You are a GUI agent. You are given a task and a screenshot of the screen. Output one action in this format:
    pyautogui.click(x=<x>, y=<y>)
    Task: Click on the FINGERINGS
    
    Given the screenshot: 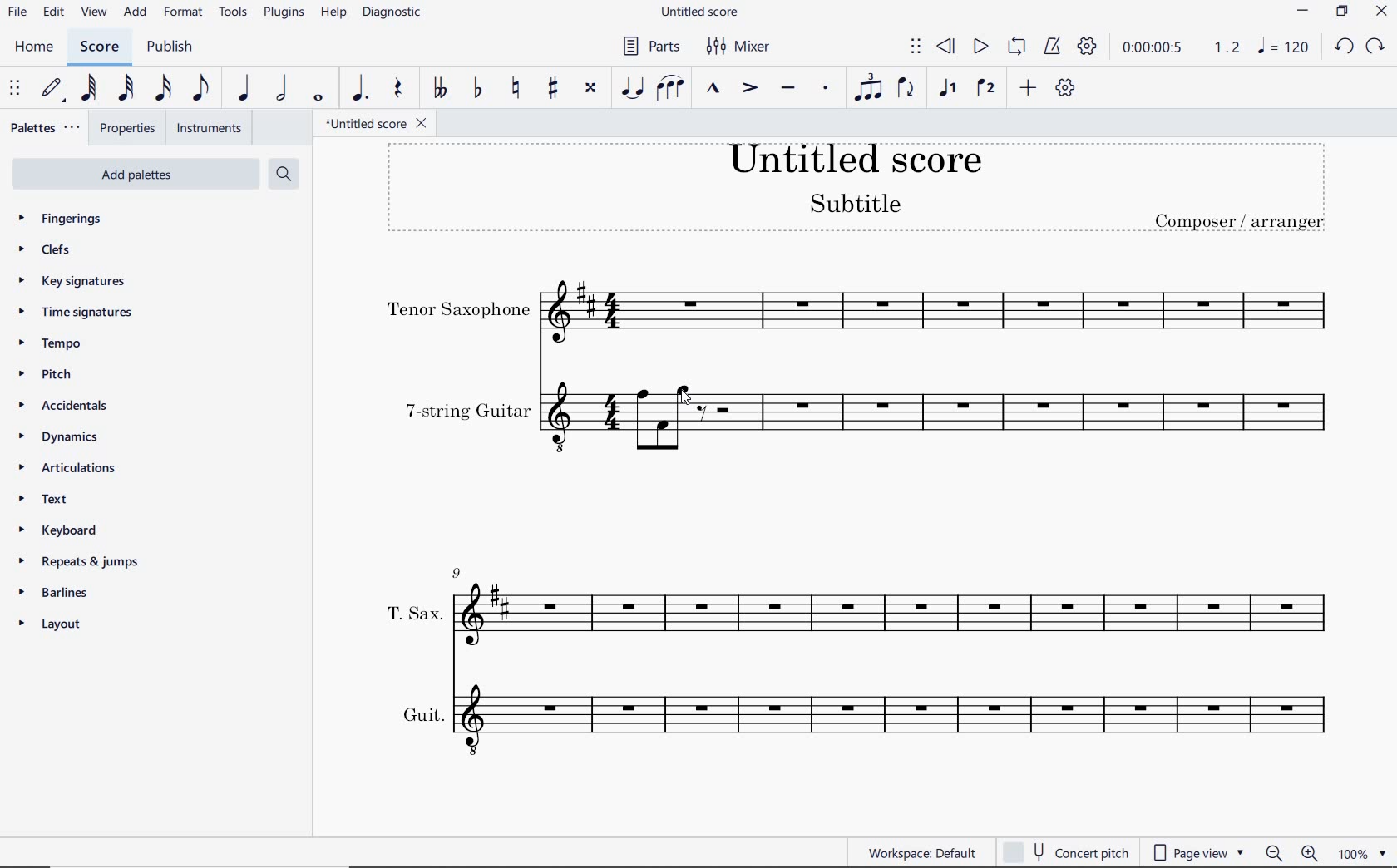 What is the action you would take?
    pyautogui.click(x=70, y=217)
    